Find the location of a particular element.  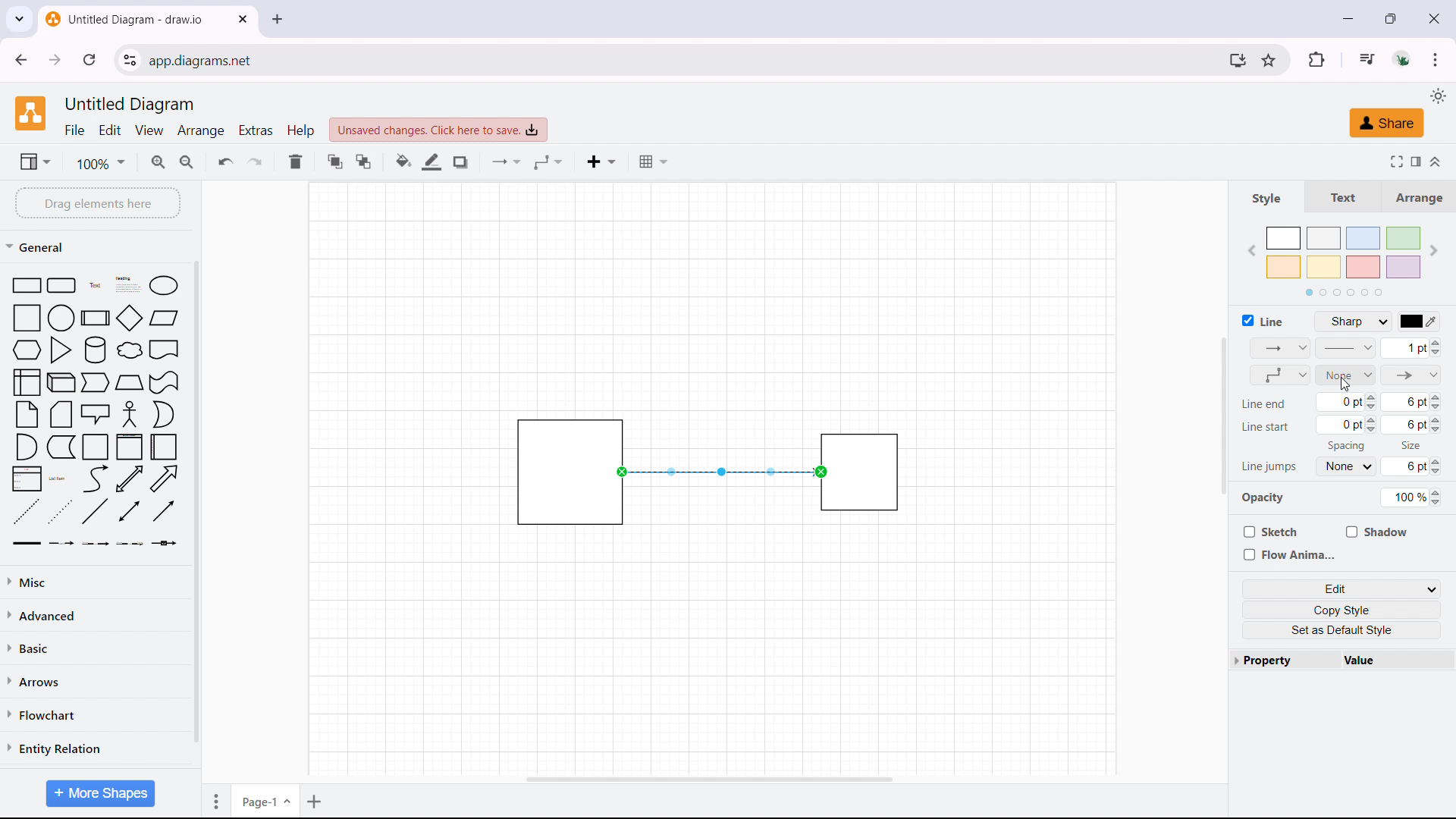

copy style is located at coordinates (1344, 609).